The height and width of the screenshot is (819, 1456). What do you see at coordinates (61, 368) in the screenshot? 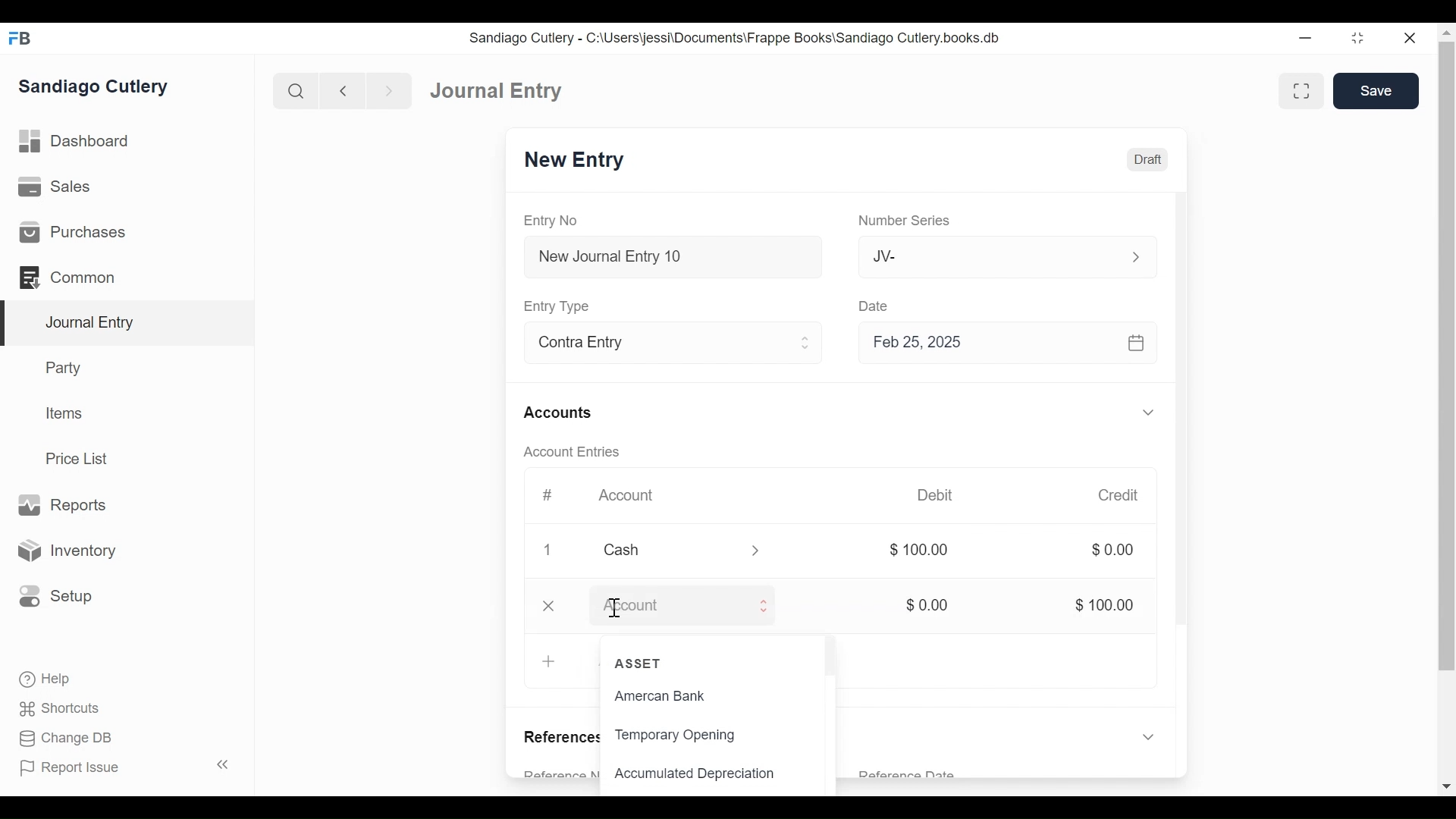
I see `Party` at bounding box center [61, 368].